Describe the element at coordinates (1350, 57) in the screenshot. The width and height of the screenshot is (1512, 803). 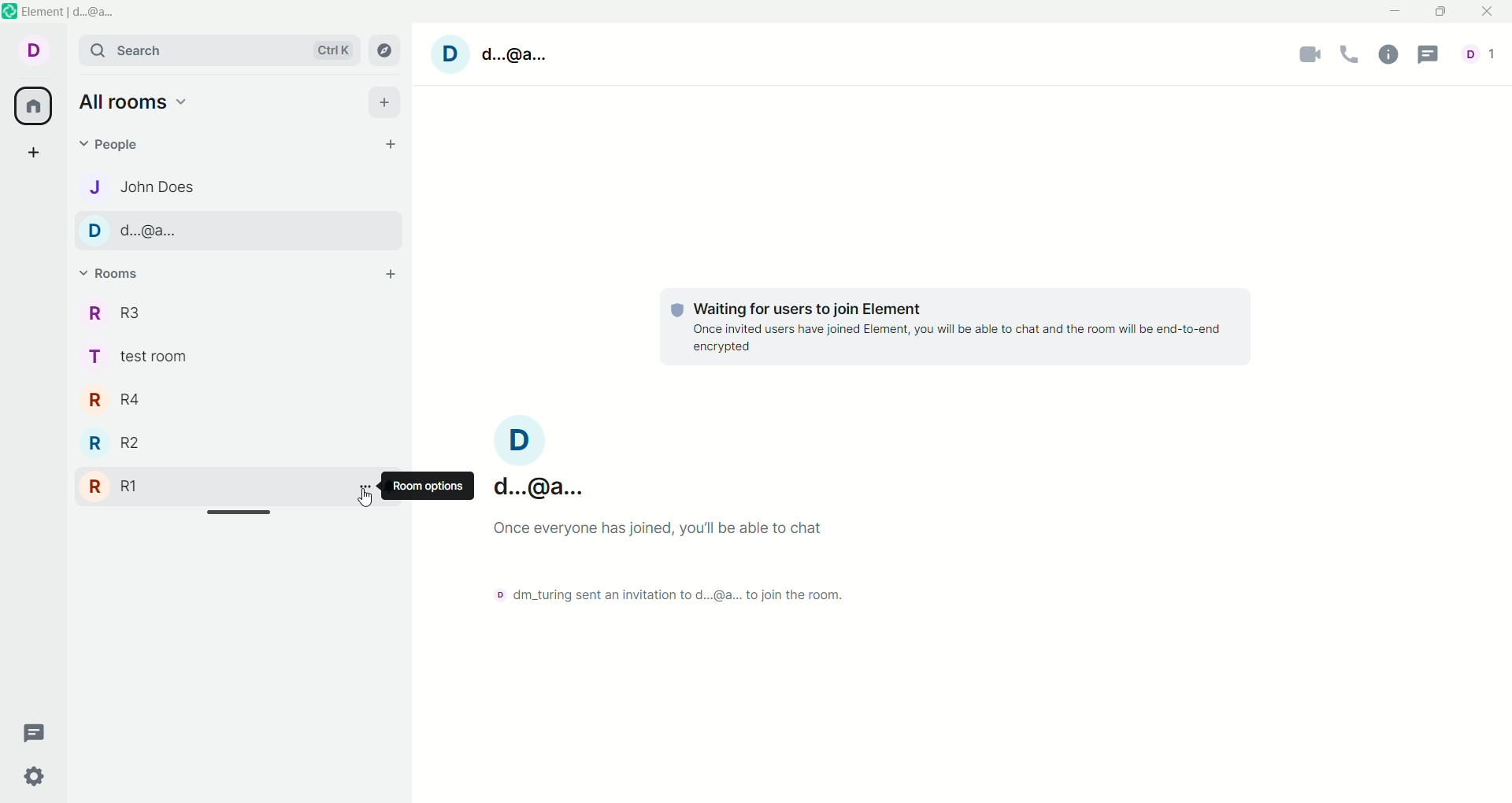
I see `voice call` at that location.